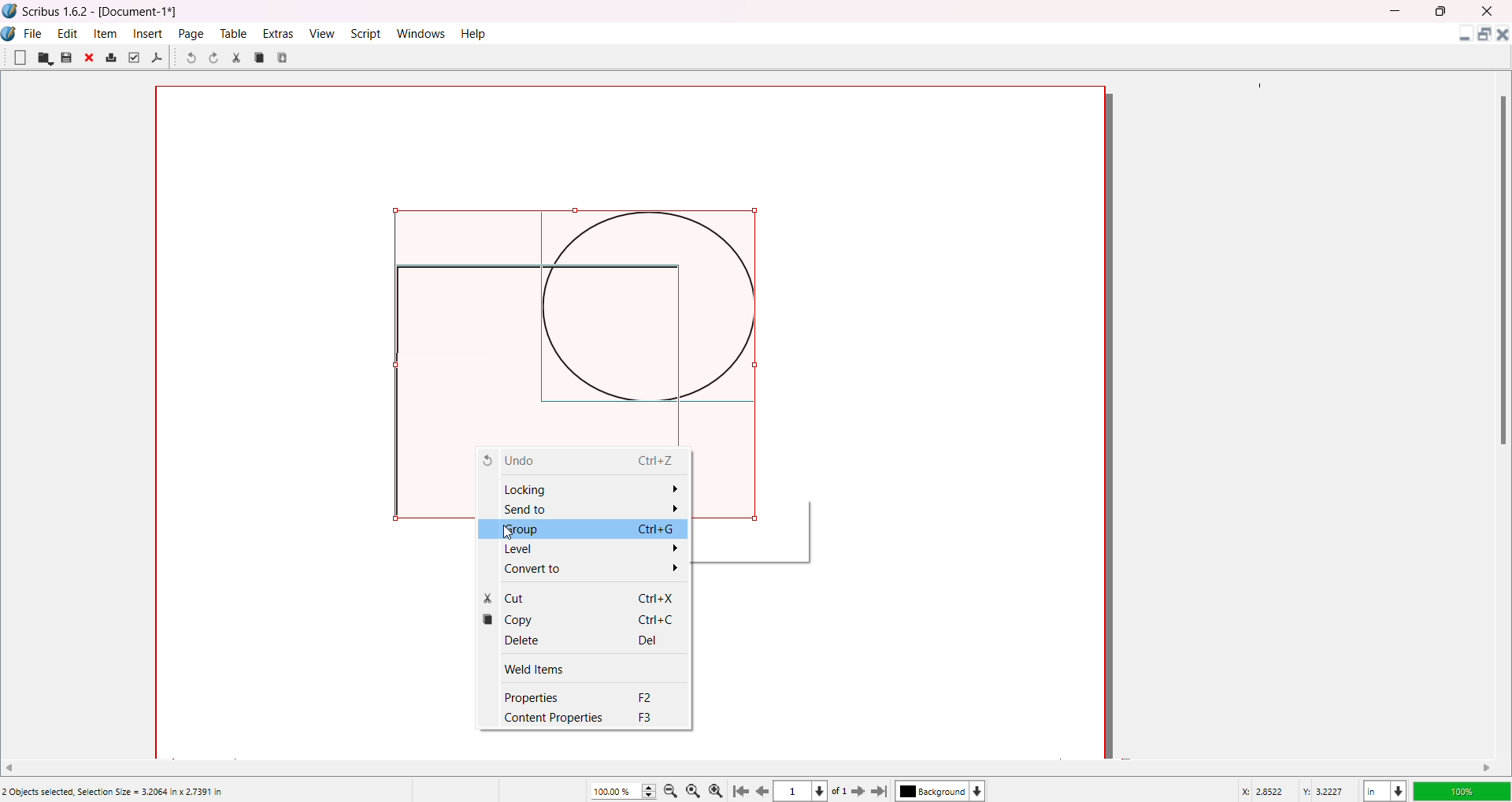  I want to click on Level, so click(582, 549).